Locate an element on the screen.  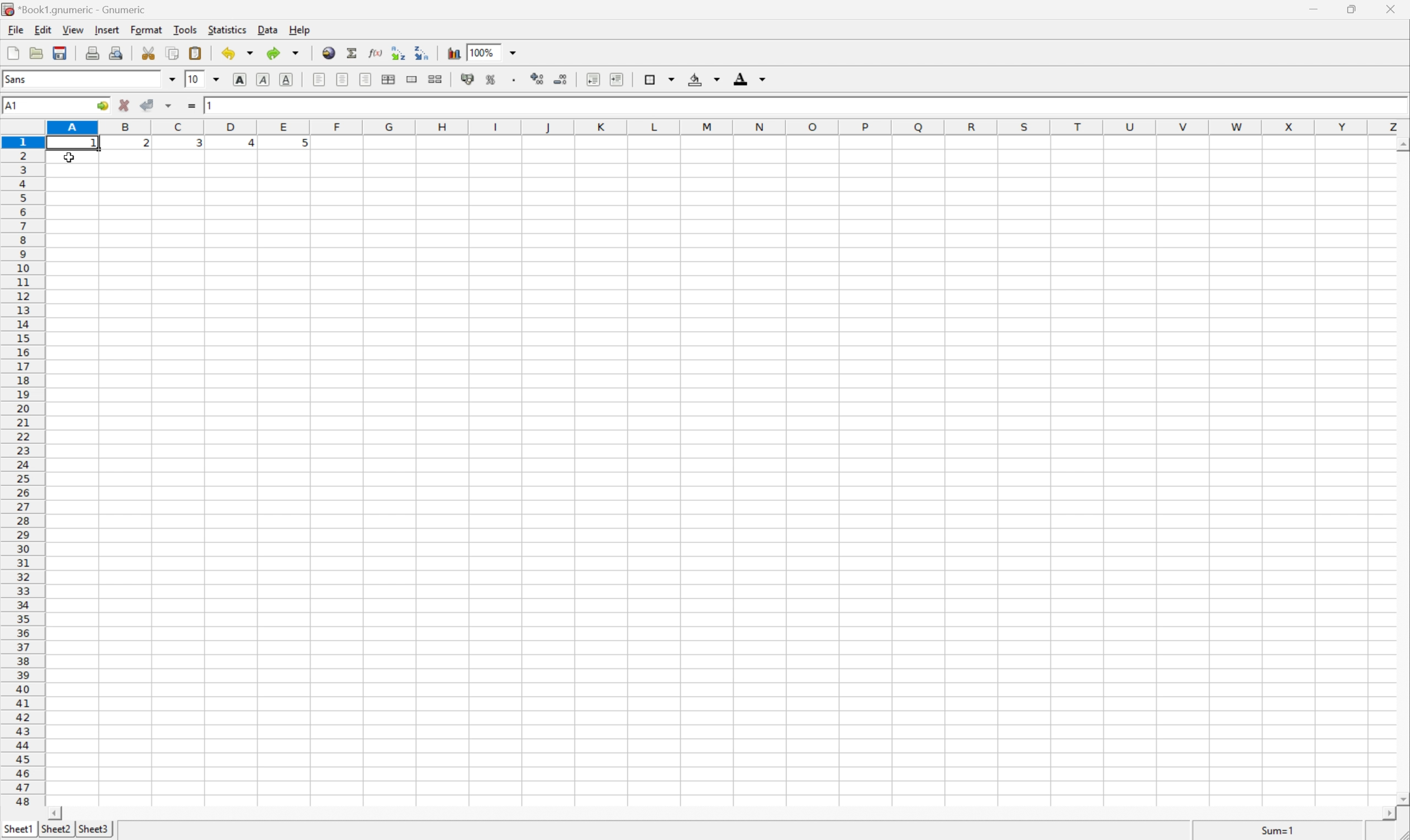
font is located at coordinates (20, 81).